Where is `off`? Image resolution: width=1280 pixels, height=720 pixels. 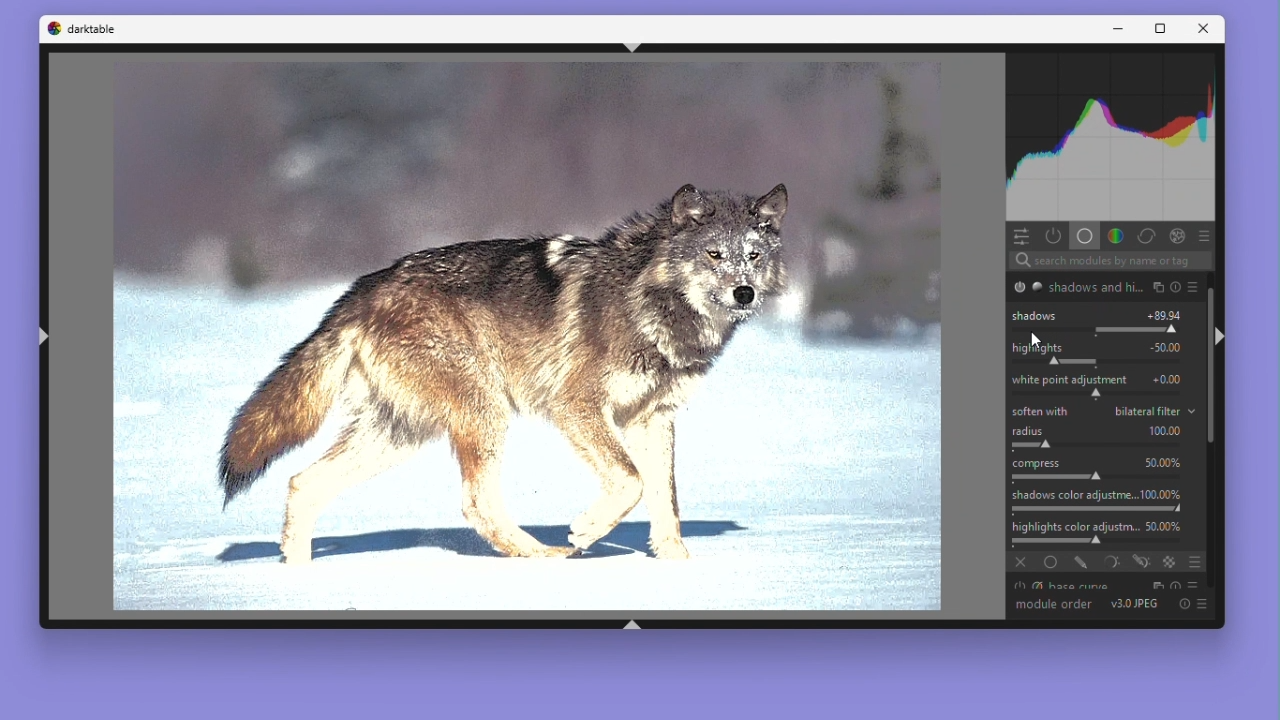
off is located at coordinates (1020, 561).